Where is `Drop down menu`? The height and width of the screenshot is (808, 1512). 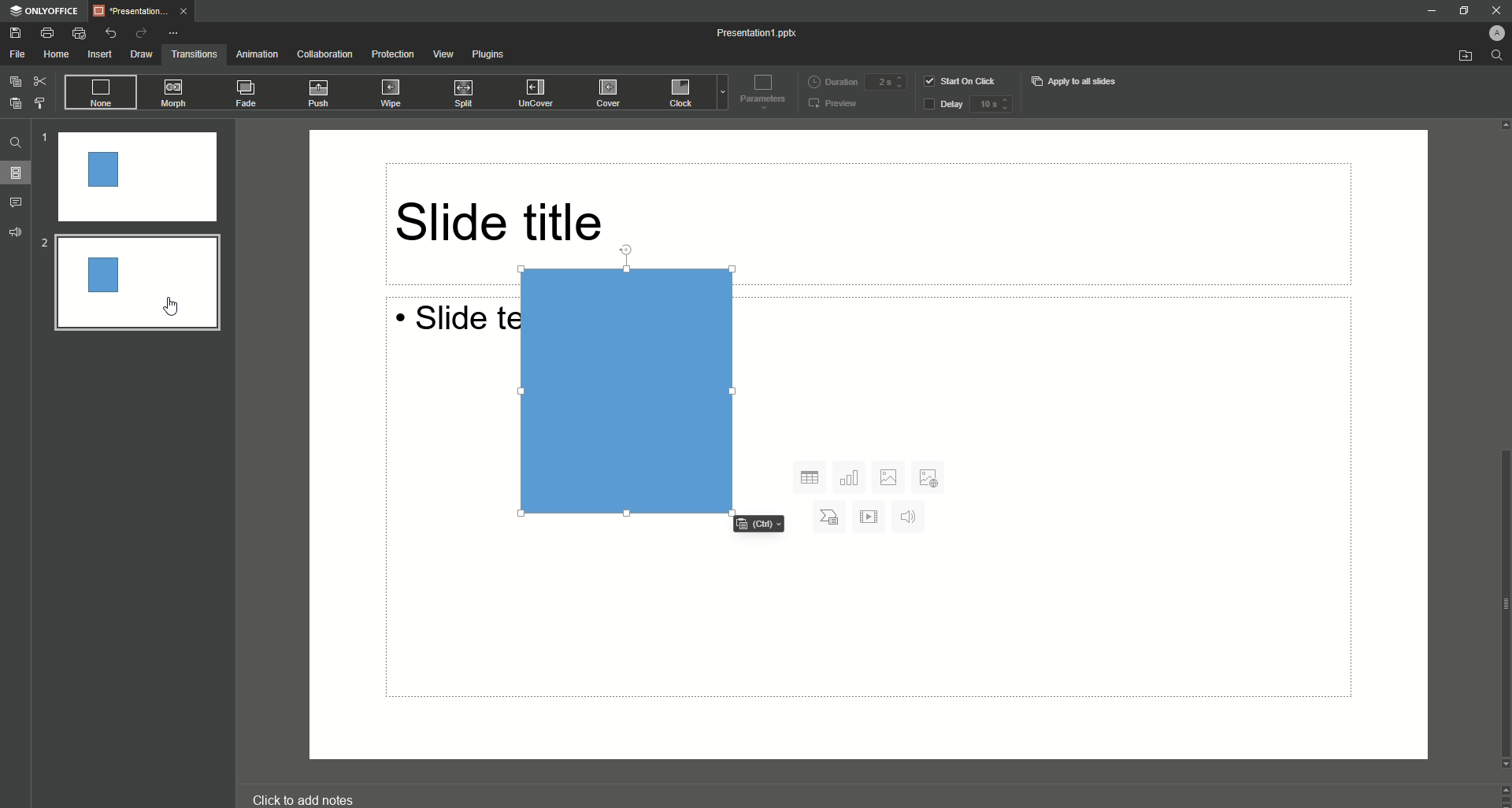
Drop down menu is located at coordinates (719, 93).